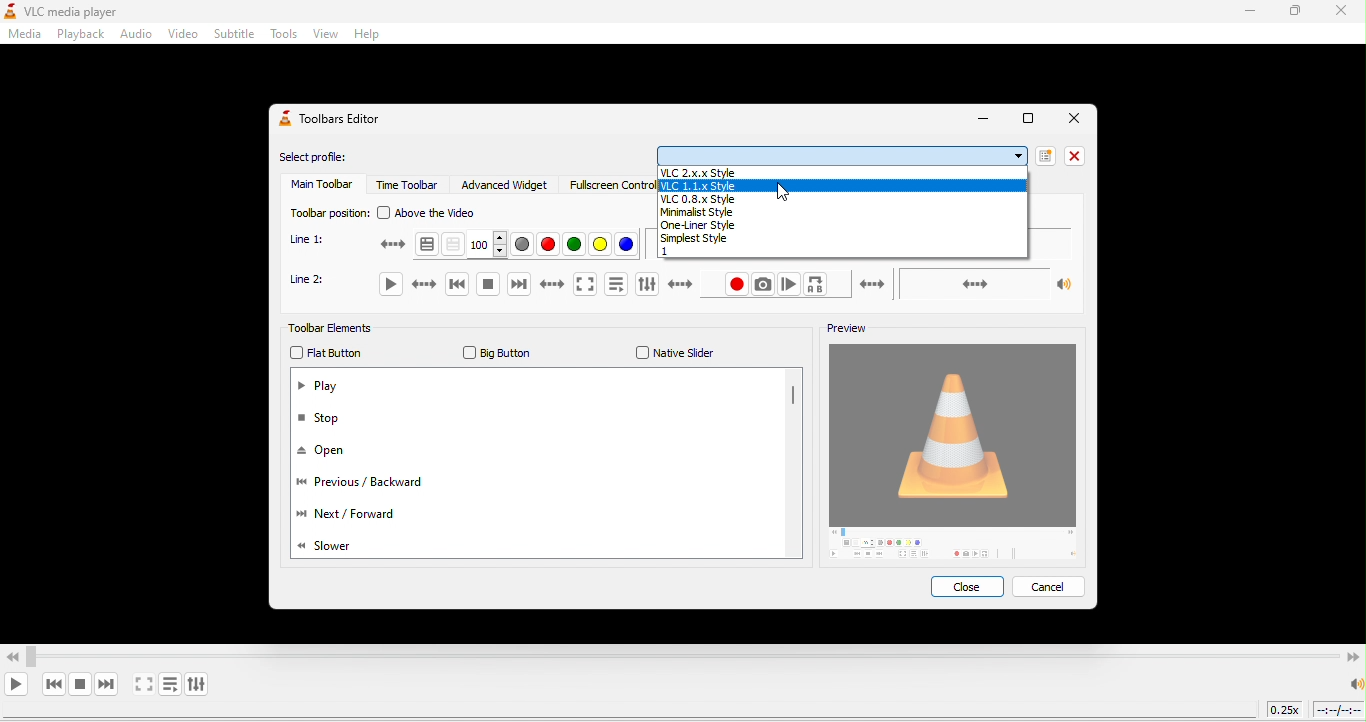  I want to click on toolbars editor, so click(335, 120).